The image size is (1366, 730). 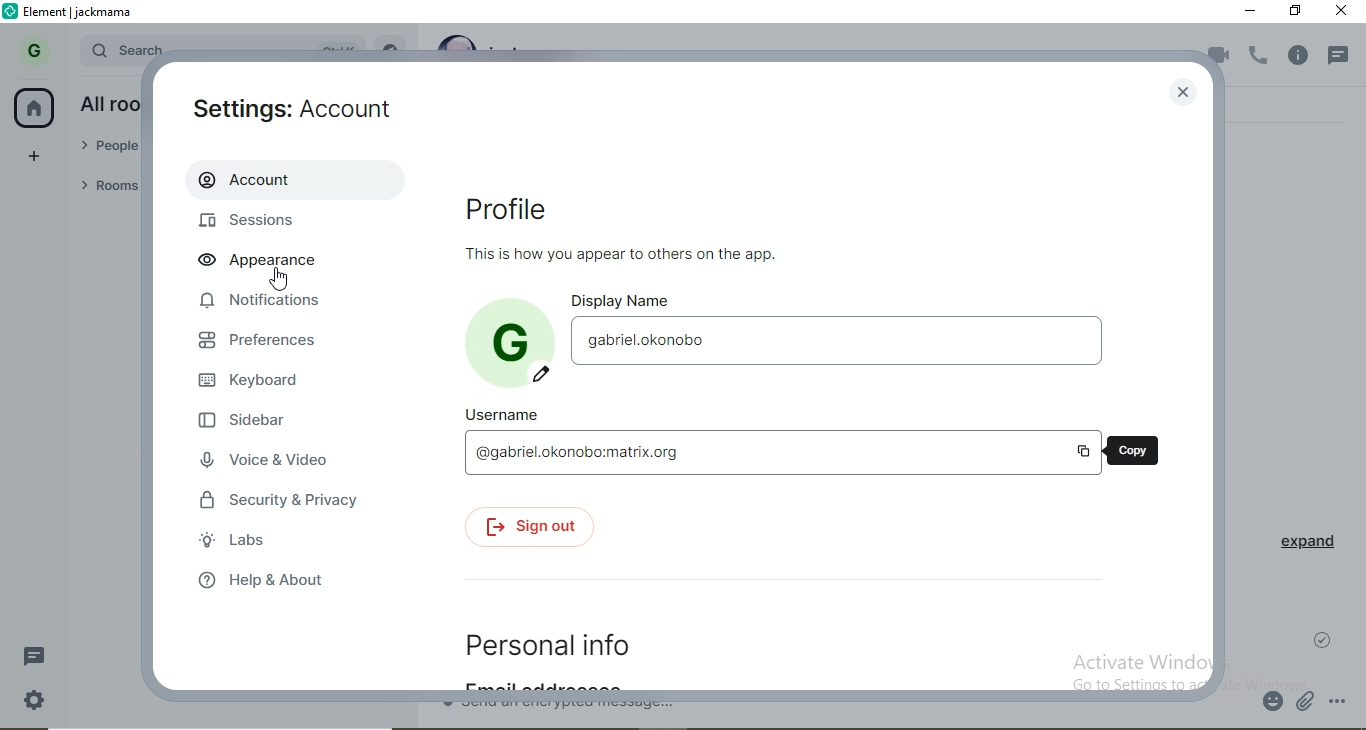 What do you see at coordinates (557, 646) in the screenshot?
I see `personal info` at bounding box center [557, 646].